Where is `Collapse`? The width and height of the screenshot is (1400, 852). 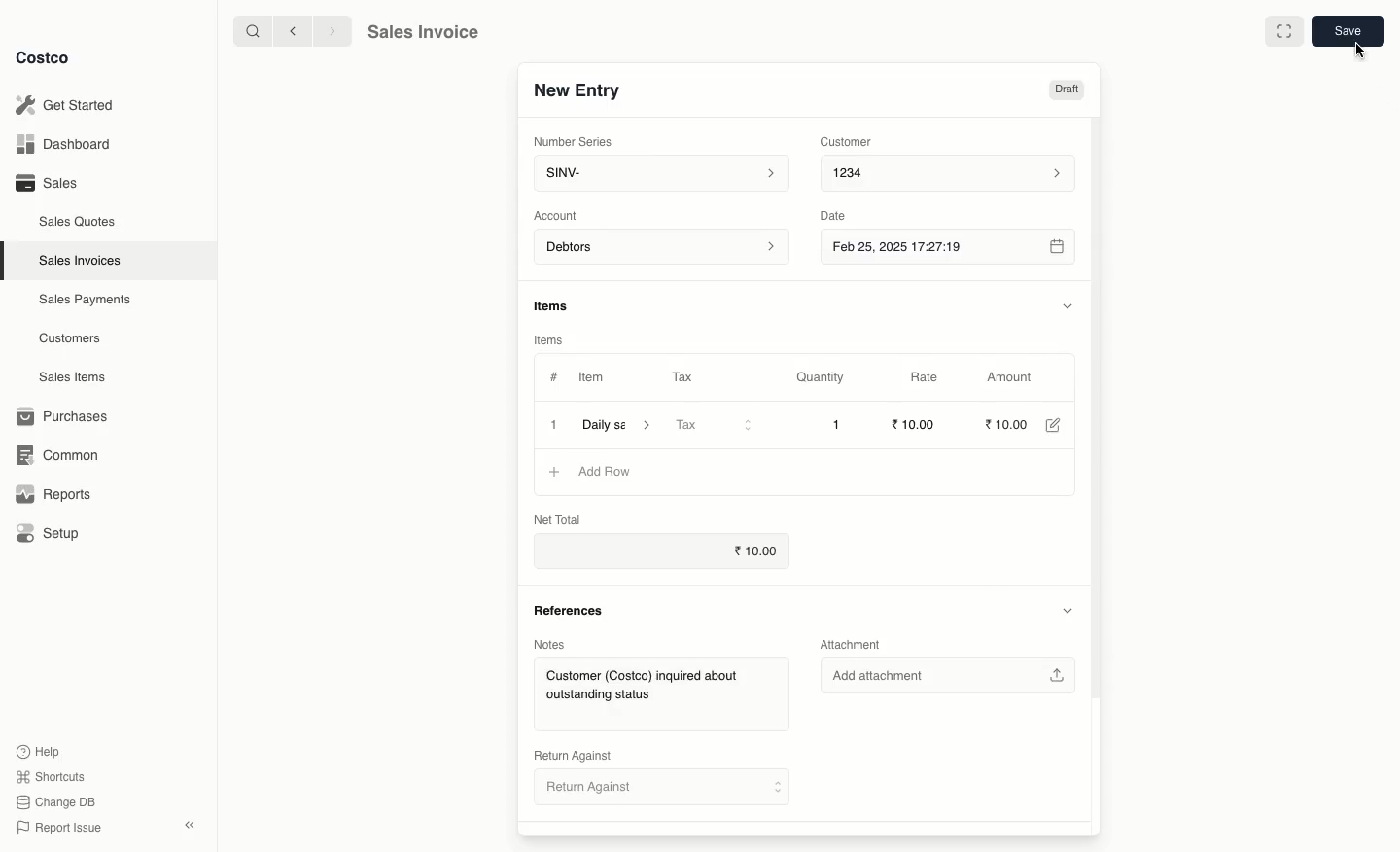
Collapse is located at coordinates (189, 825).